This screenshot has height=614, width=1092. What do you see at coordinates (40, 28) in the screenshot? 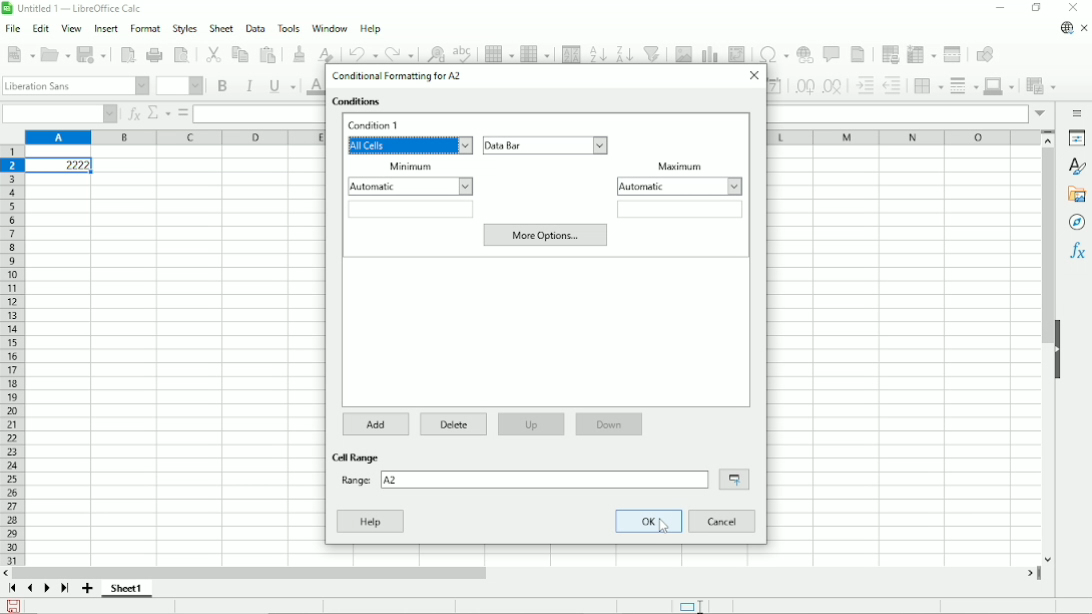
I see `Edit` at bounding box center [40, 28].